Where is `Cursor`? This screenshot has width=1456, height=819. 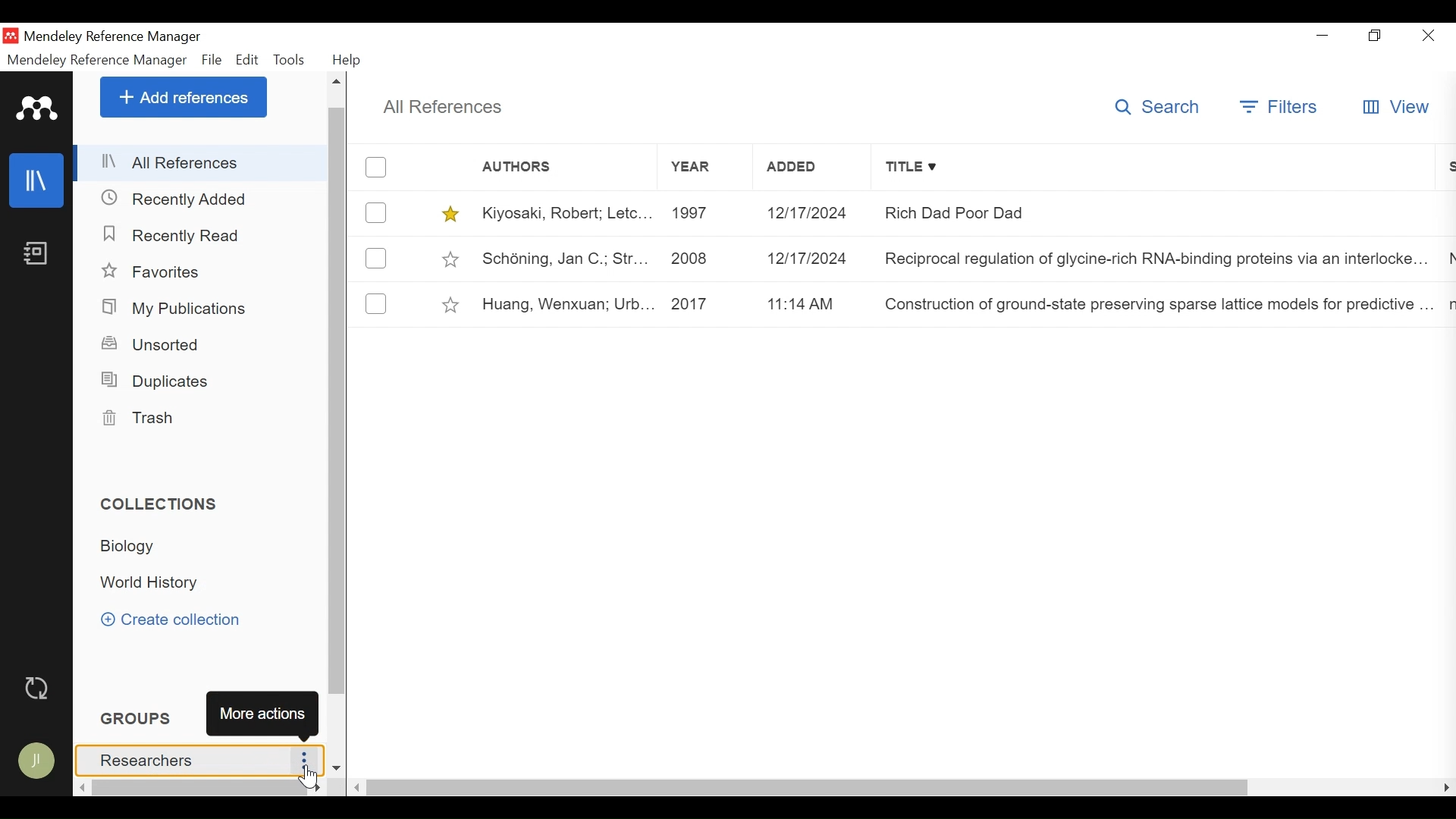 Cursor is located at coordinates (311, 775).